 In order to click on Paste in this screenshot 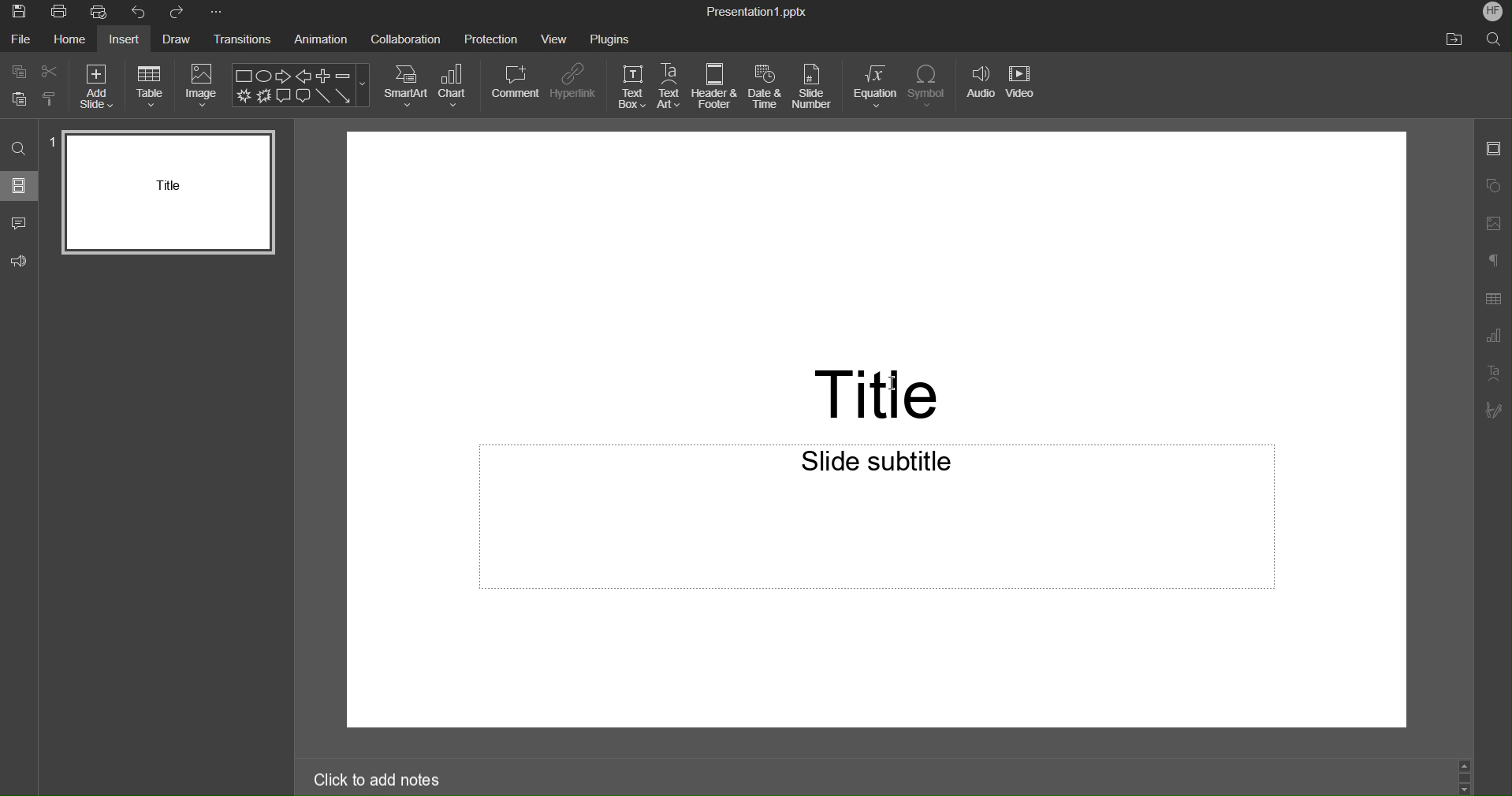, I will do `click(18, 101)`.